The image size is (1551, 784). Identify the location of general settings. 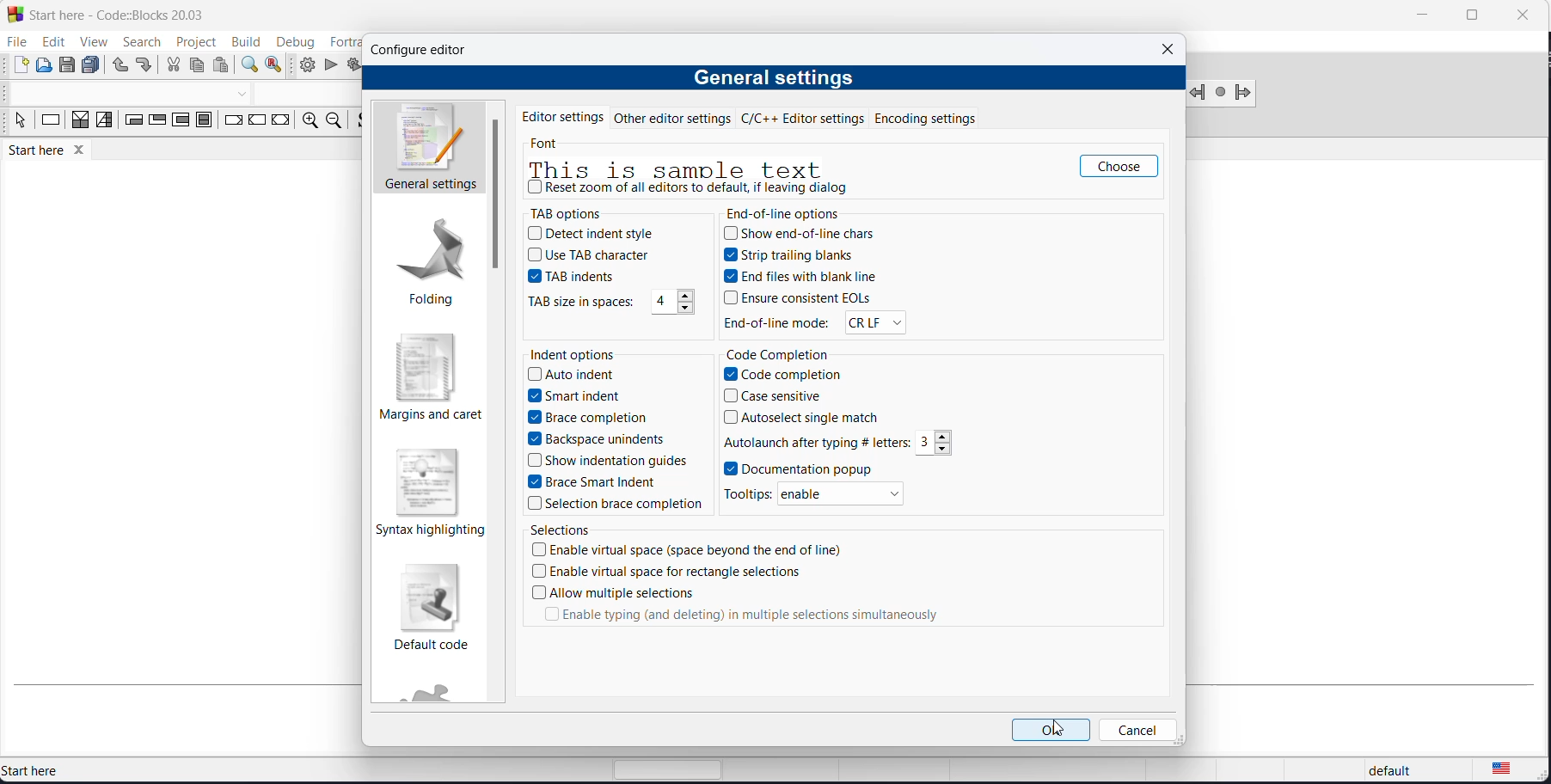
(772, 79).